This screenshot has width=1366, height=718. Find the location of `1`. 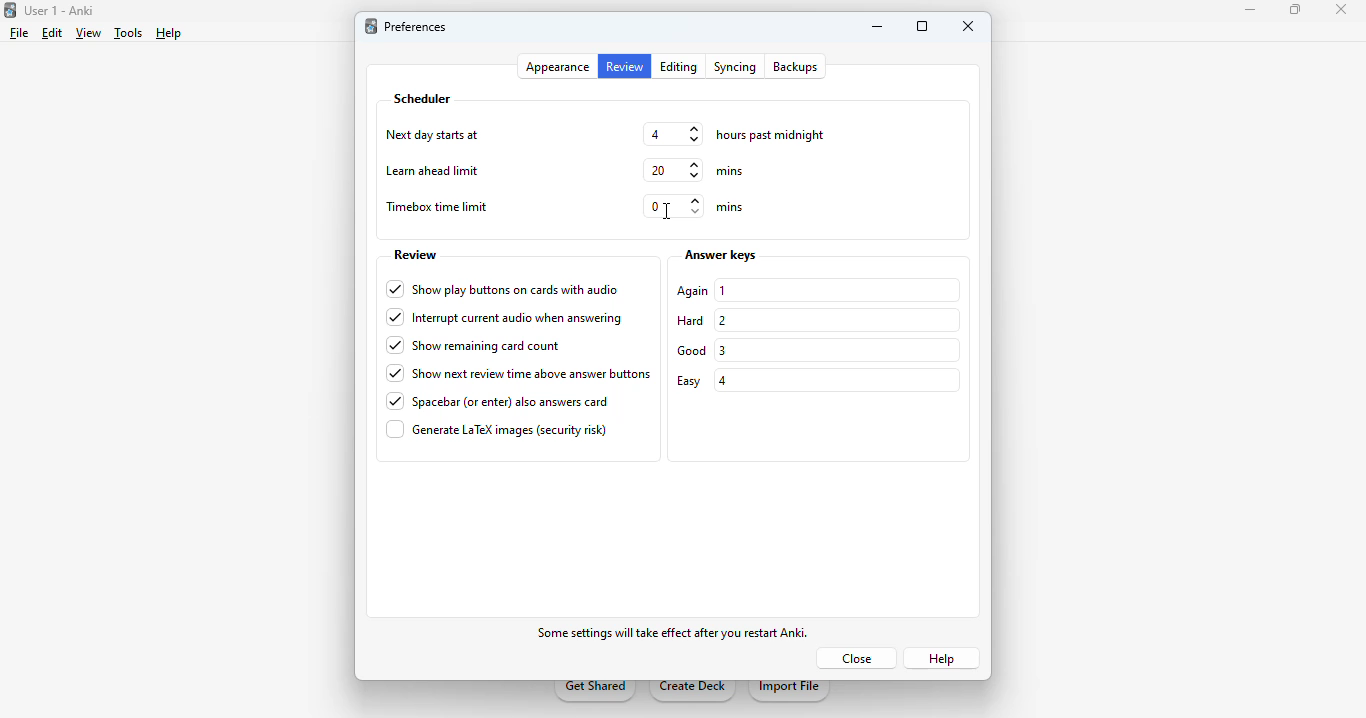

1 is located at coordinates (722, 291).